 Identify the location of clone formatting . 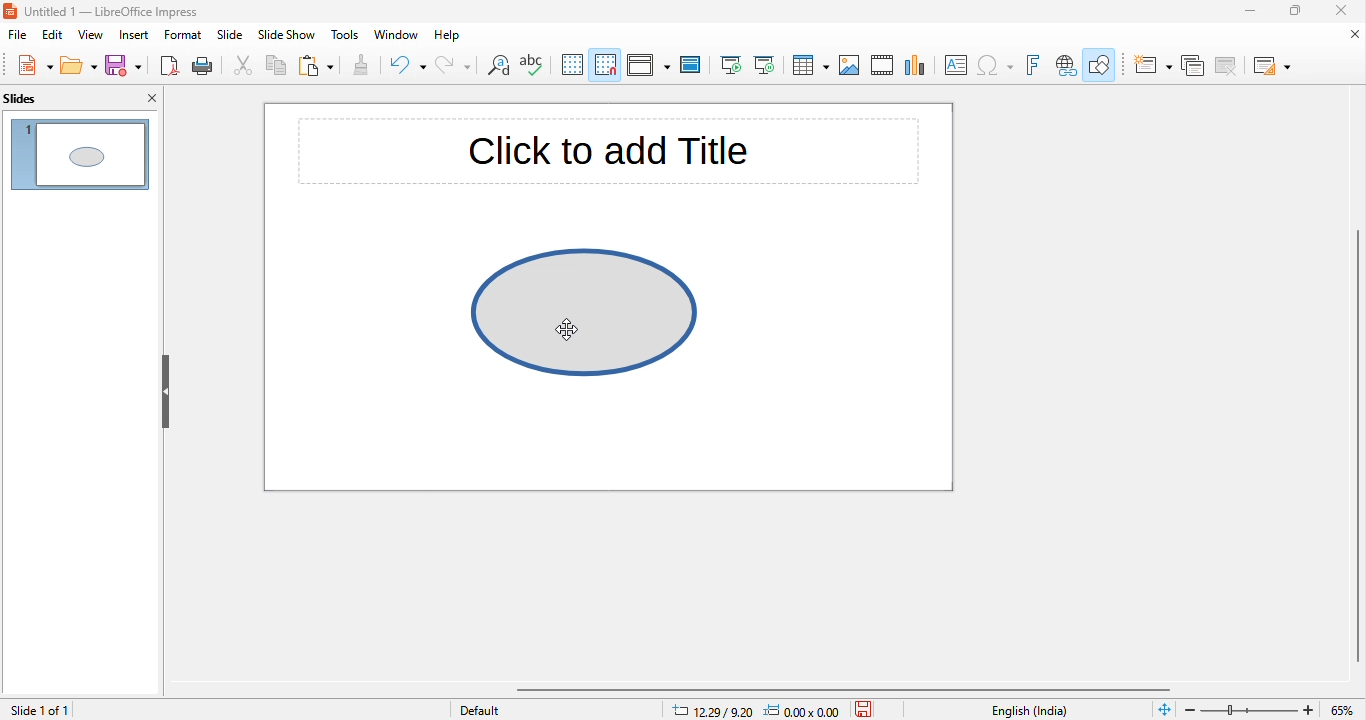
(359, 67).